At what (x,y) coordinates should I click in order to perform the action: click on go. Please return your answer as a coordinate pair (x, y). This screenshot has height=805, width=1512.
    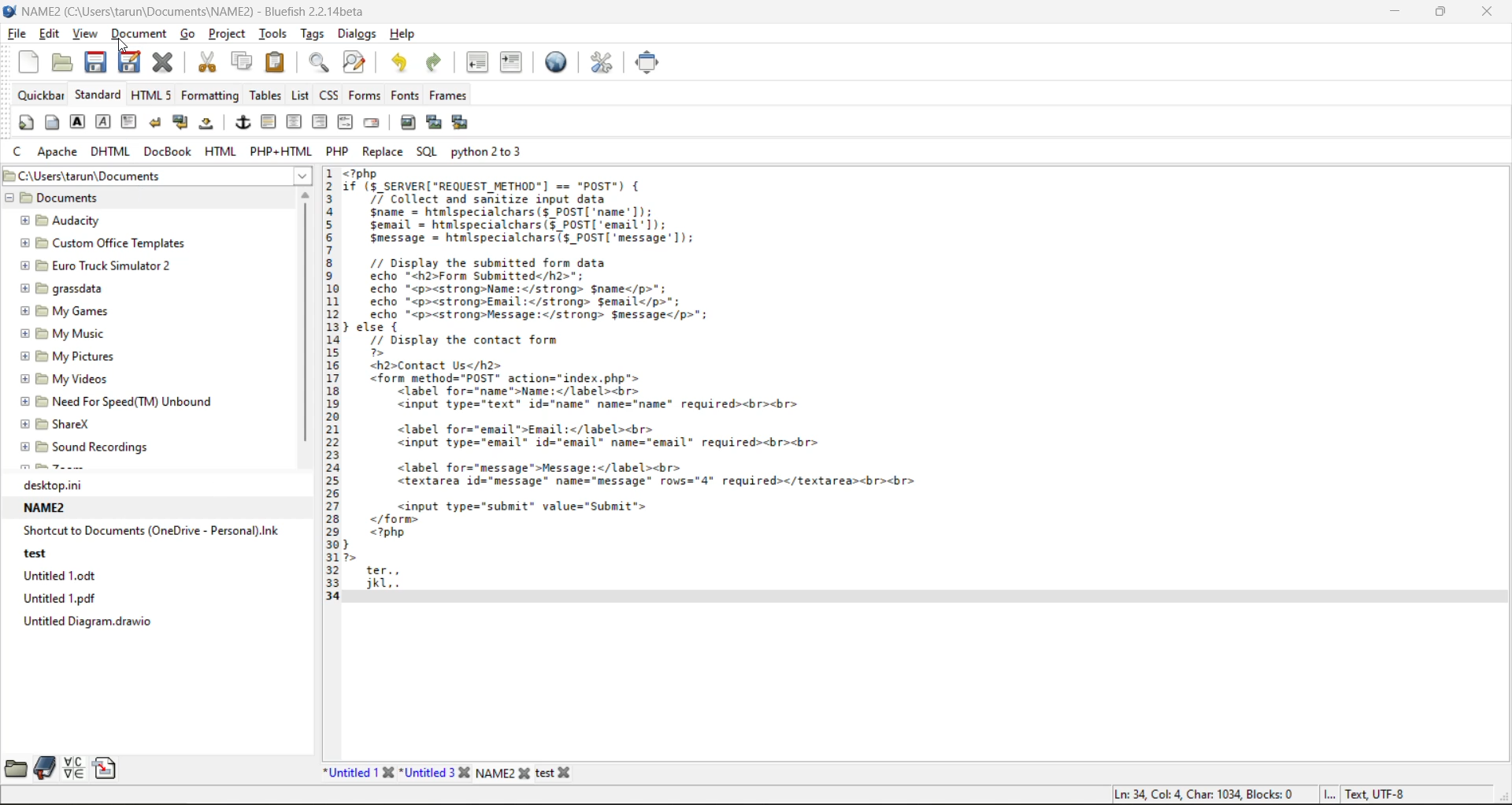
    Looking at the image, I should click on (188, 33).